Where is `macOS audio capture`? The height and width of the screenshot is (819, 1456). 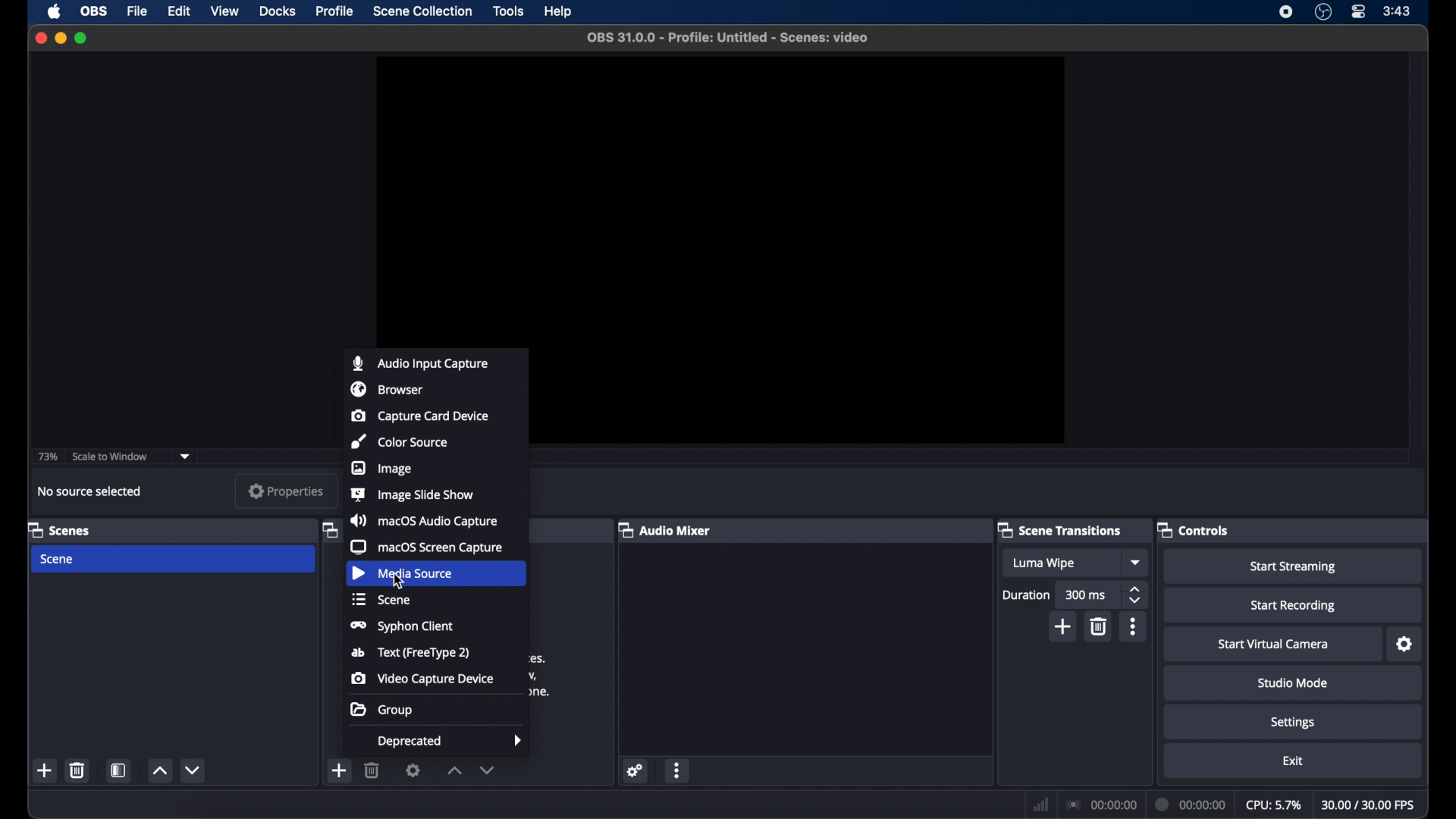
macOS audio capture is located at coordinates (423, 521).